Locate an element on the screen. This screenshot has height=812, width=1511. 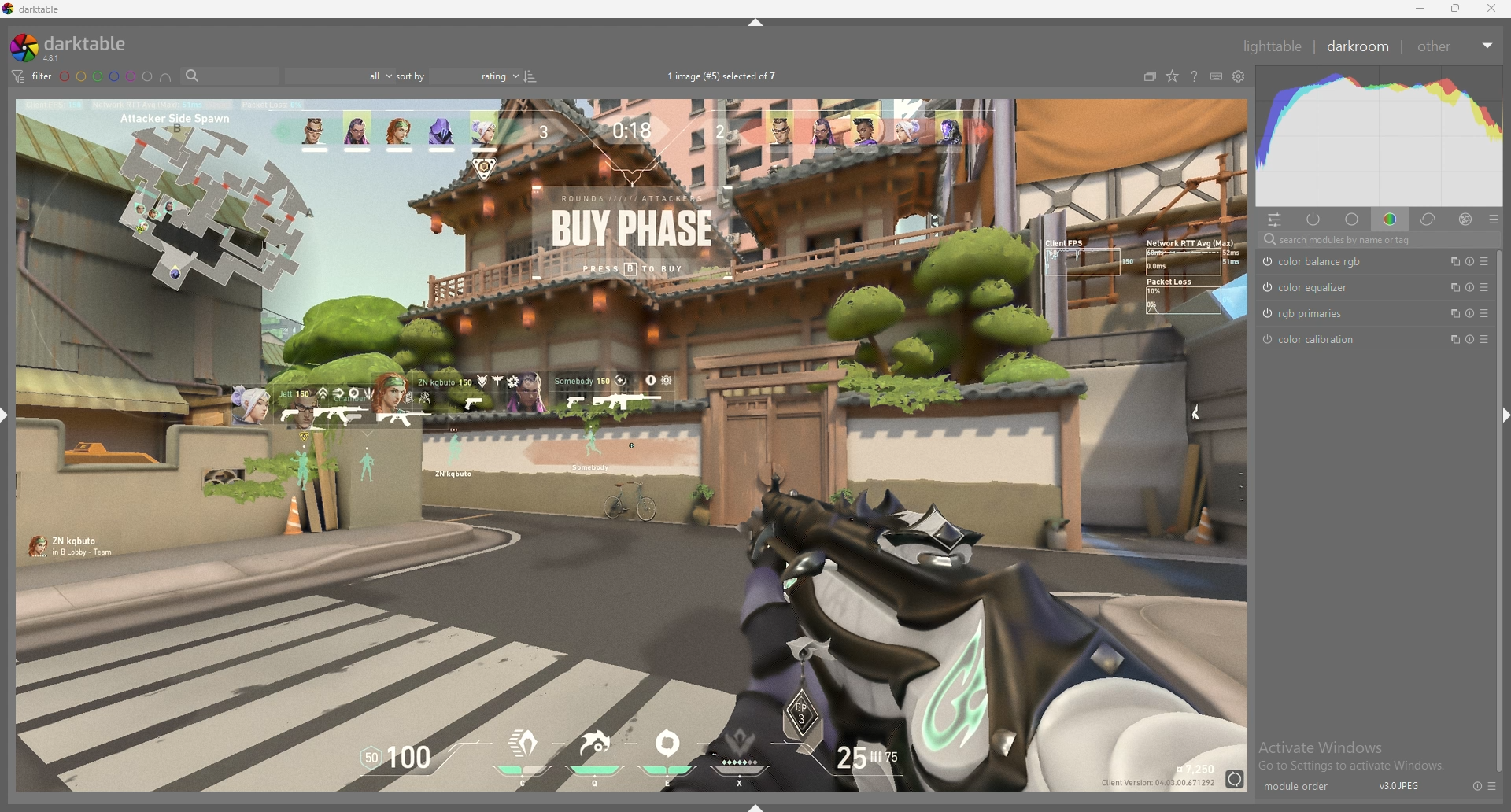
filter by rating is located at coordinates (338, 76).